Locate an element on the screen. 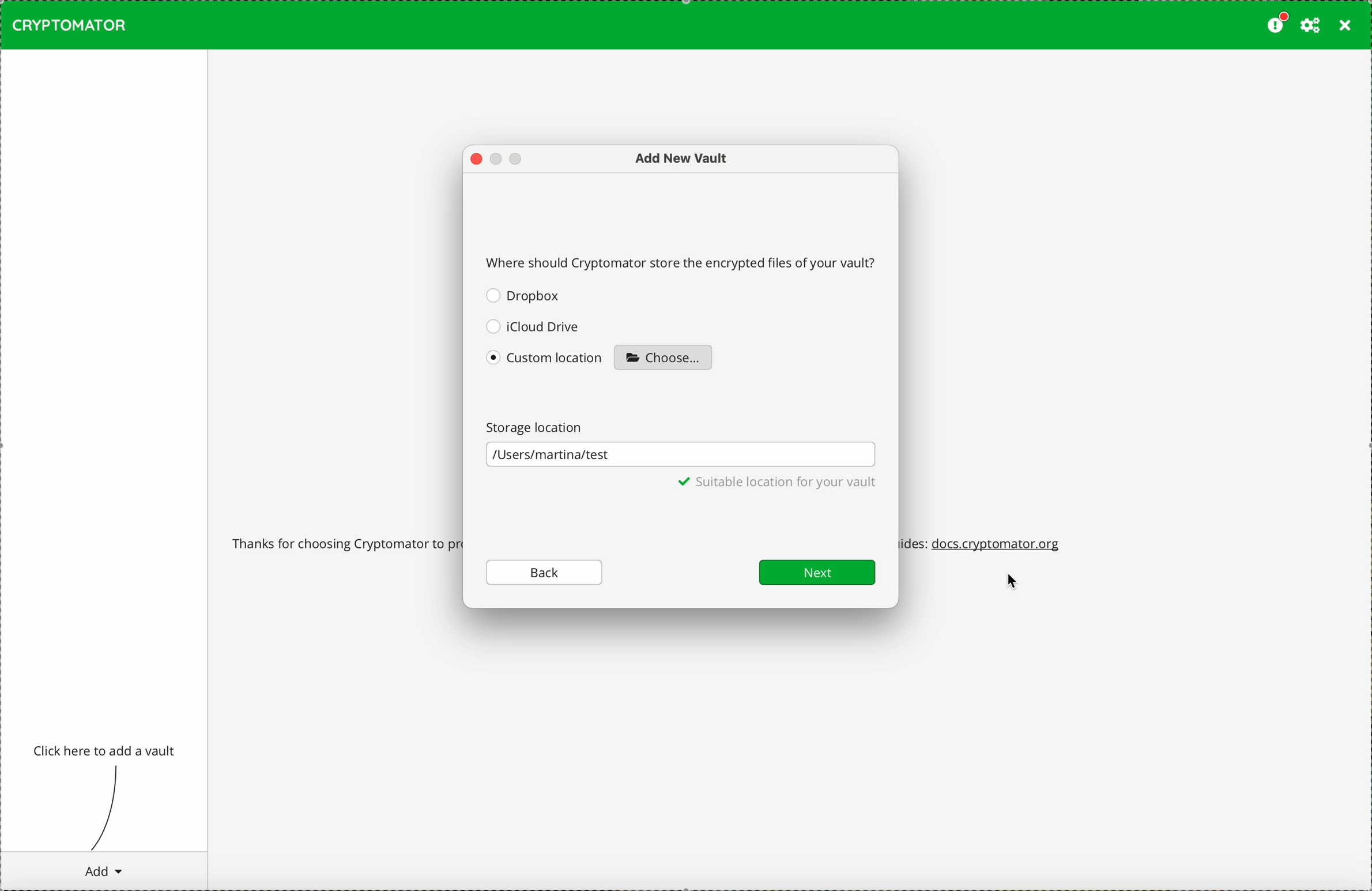  question is located at coordinates (683, 261).